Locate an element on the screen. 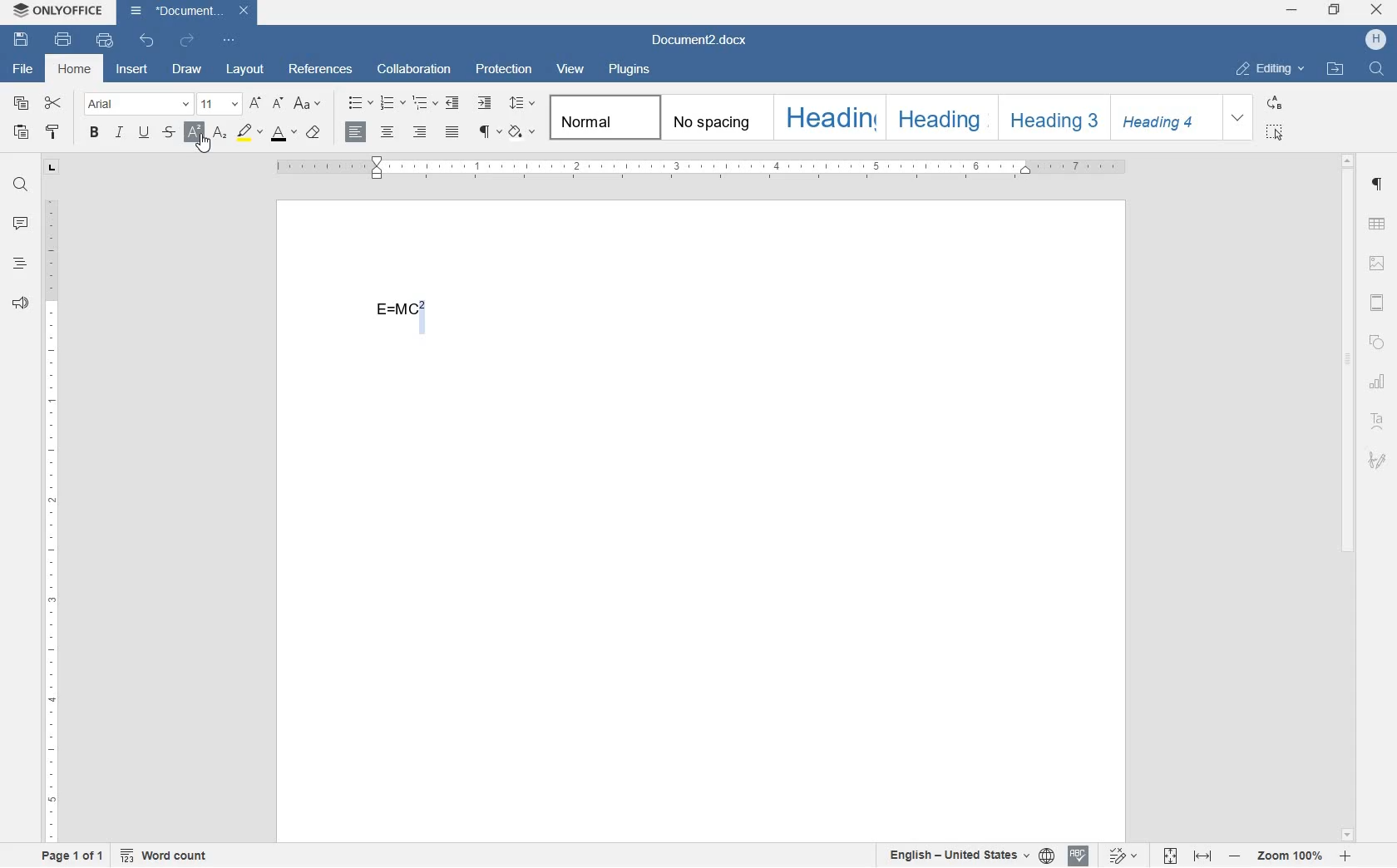  chart is located at coordinates (1380, 384).